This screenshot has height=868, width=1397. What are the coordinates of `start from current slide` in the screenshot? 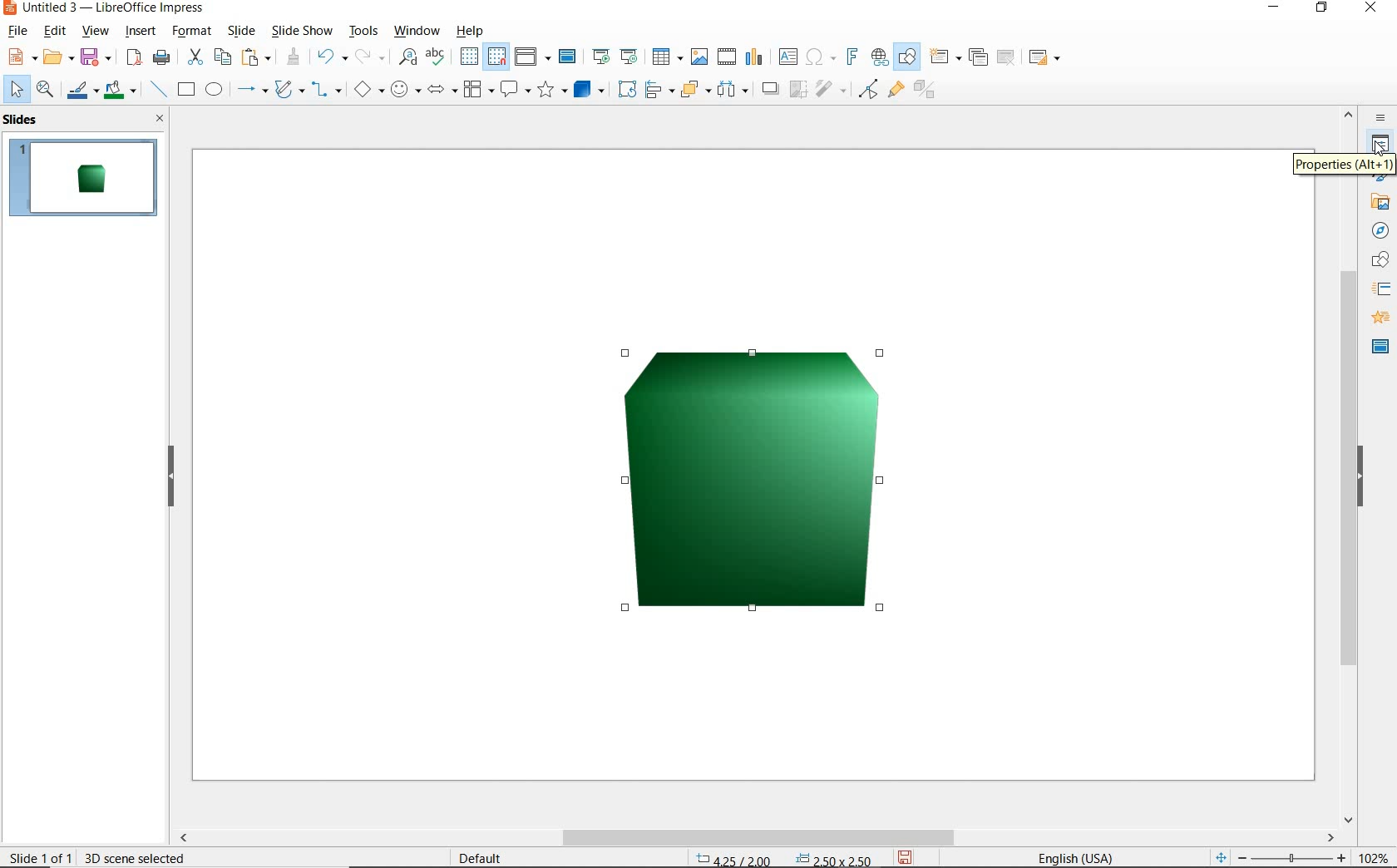 It's located at (630, 57).